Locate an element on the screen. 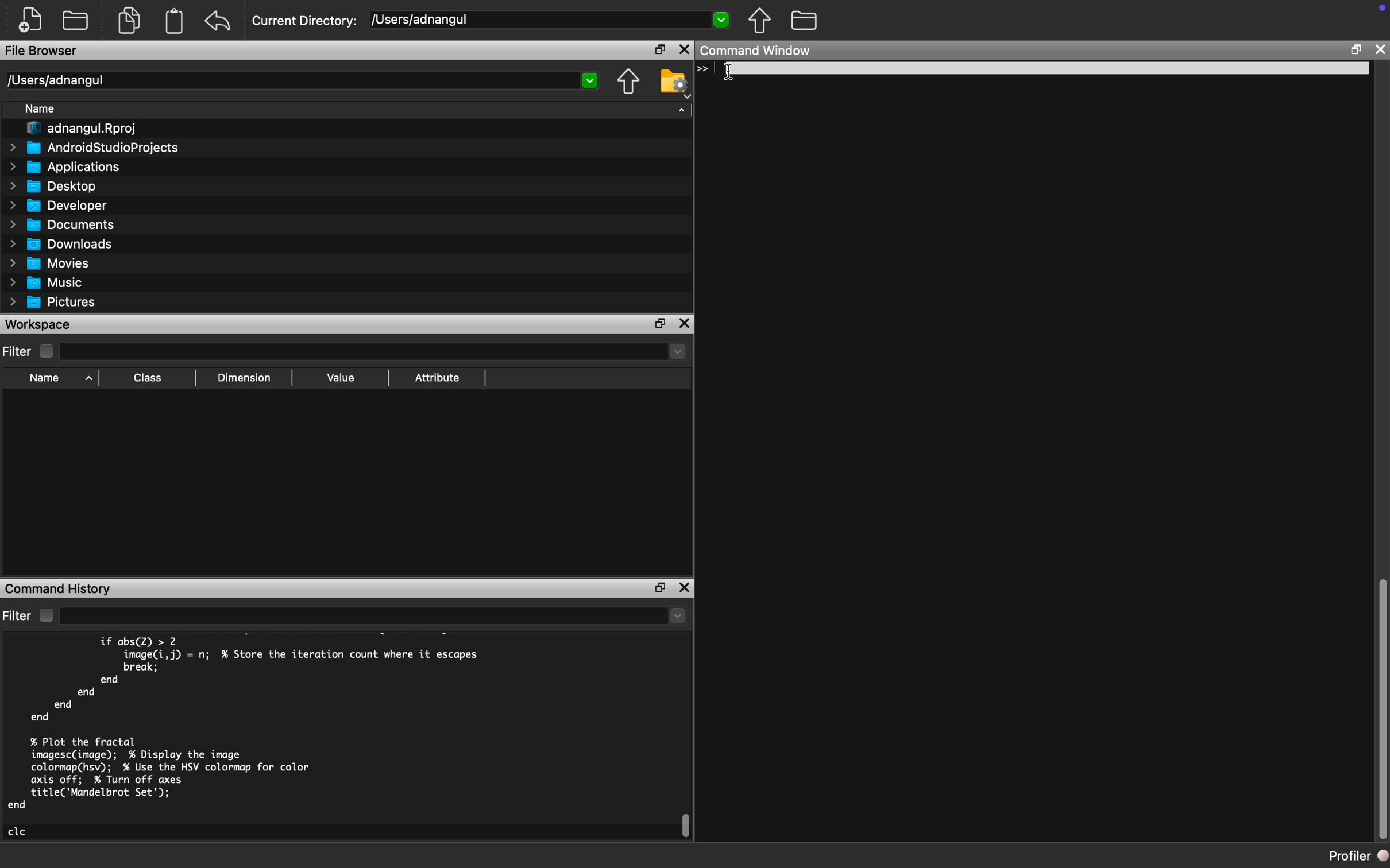 This screenshot has width=1390, height=868. Workspace is located at coordinates (41, 324).